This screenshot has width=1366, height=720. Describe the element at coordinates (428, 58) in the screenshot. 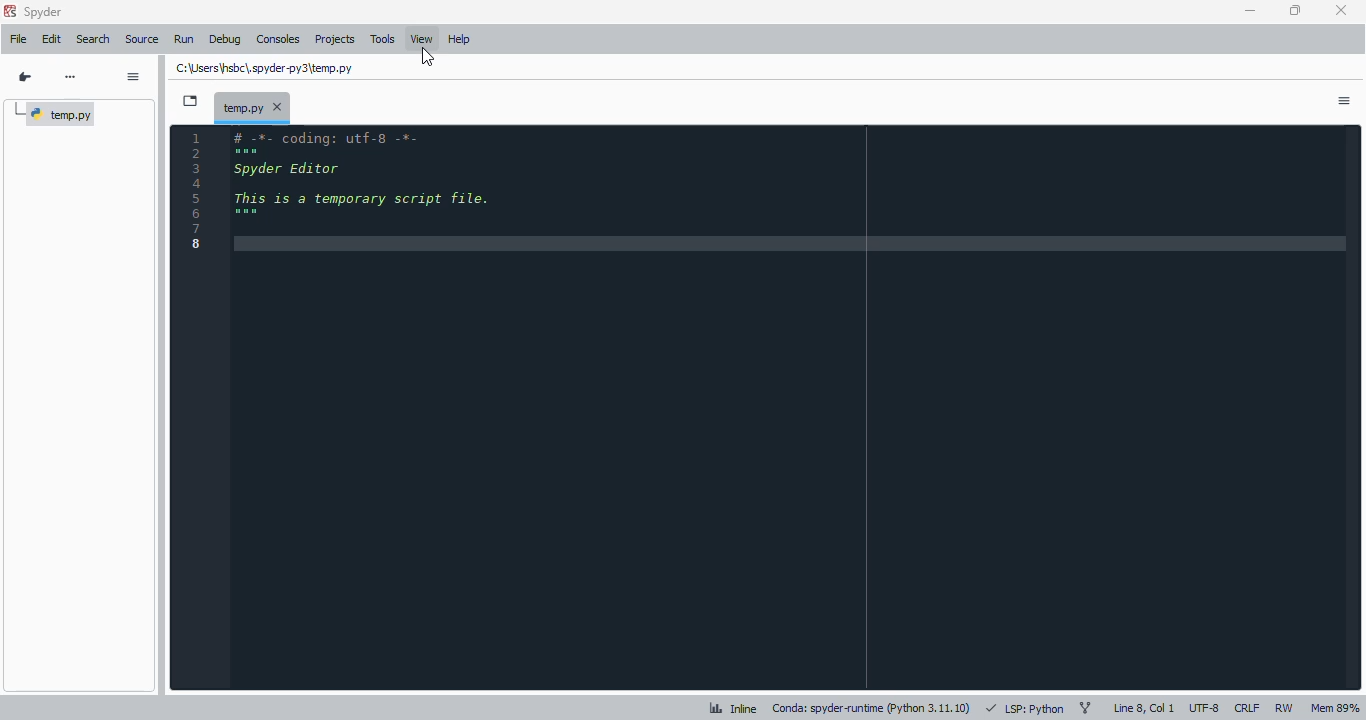

I see `cursor` at that location.